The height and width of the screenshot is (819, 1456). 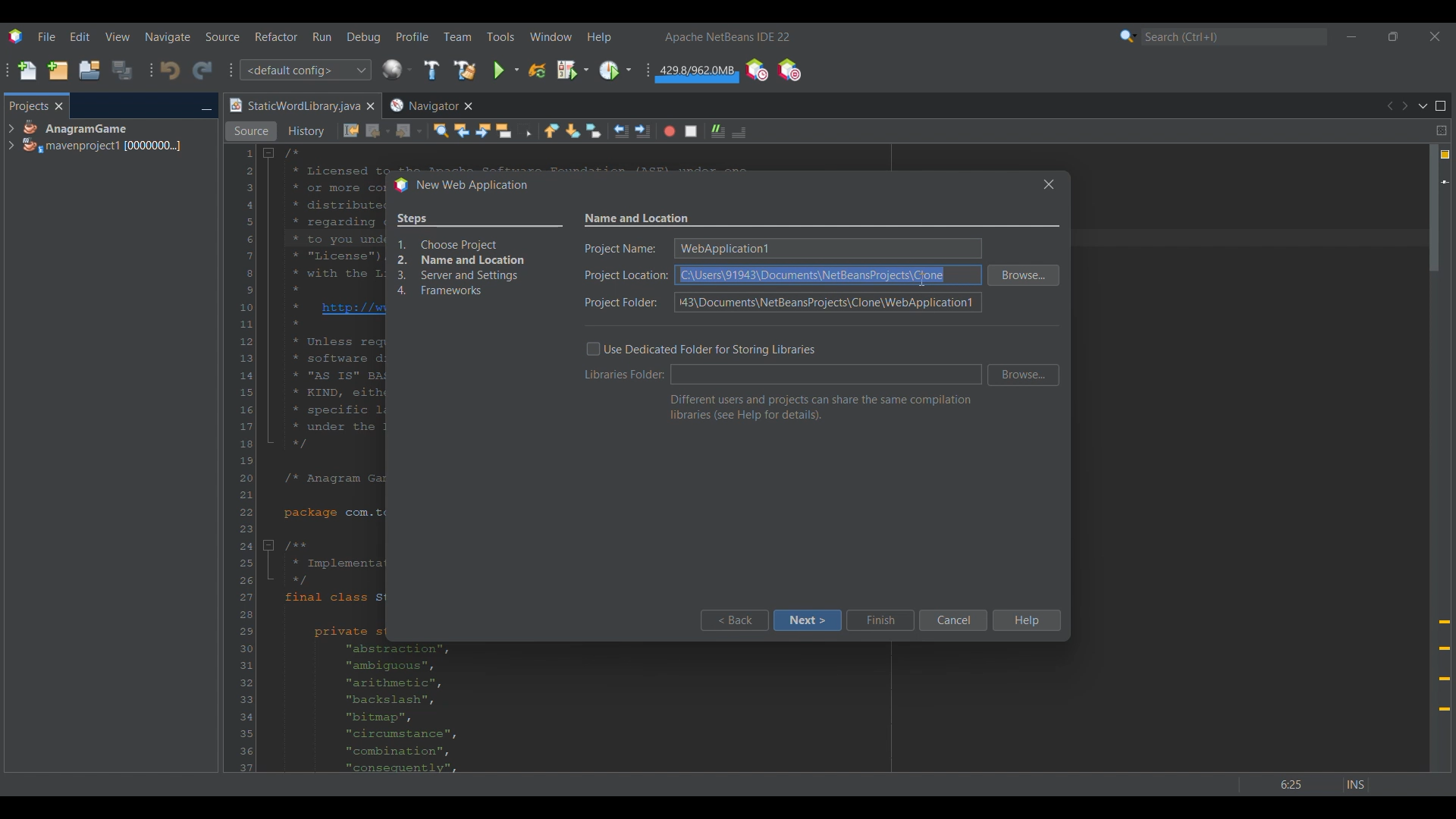 What do you see at coordinates (1441, 106) in the screenshot?
I see `Maximize window` at bounding box center [1441, 106].